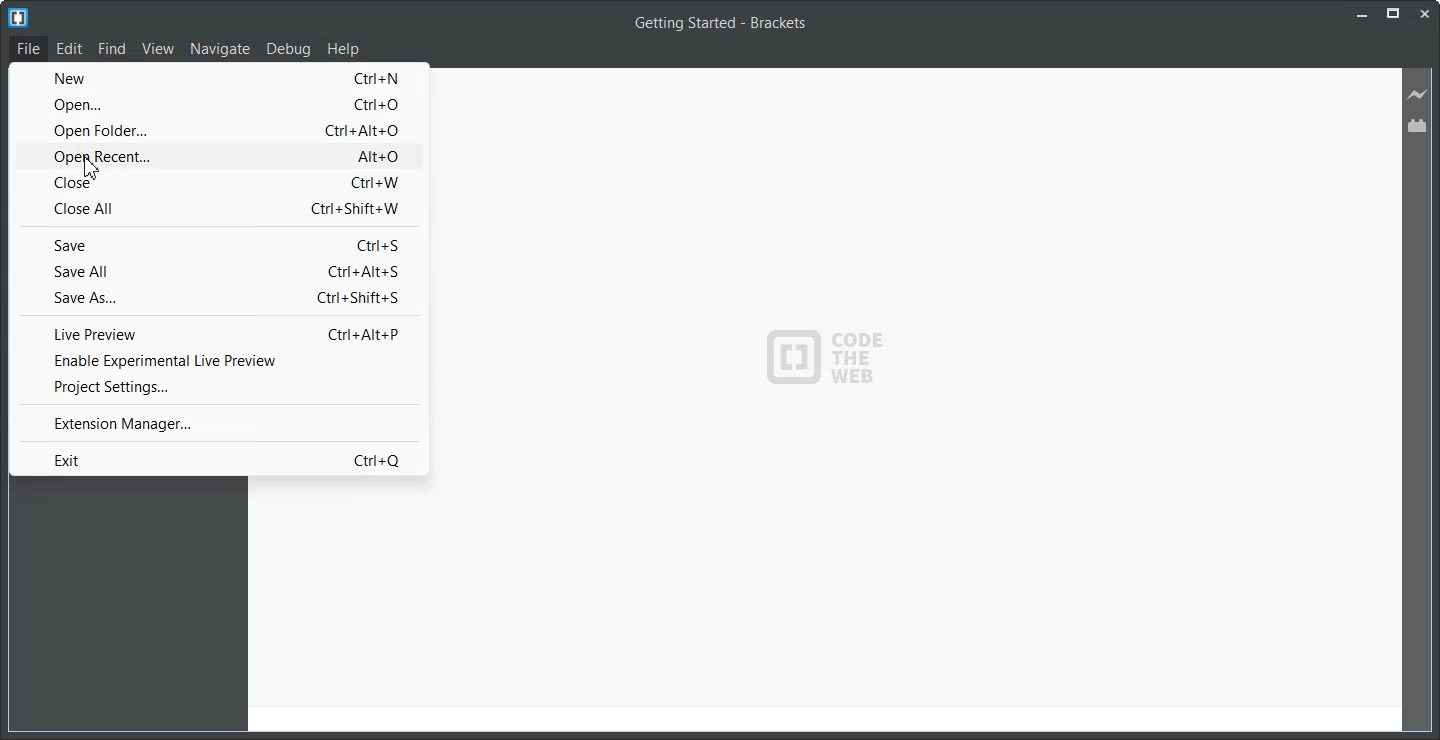  What do you see at coordinates (1418, 93) in the screenshot?
I see `Live Preview` at bounding box center [1418, 93].